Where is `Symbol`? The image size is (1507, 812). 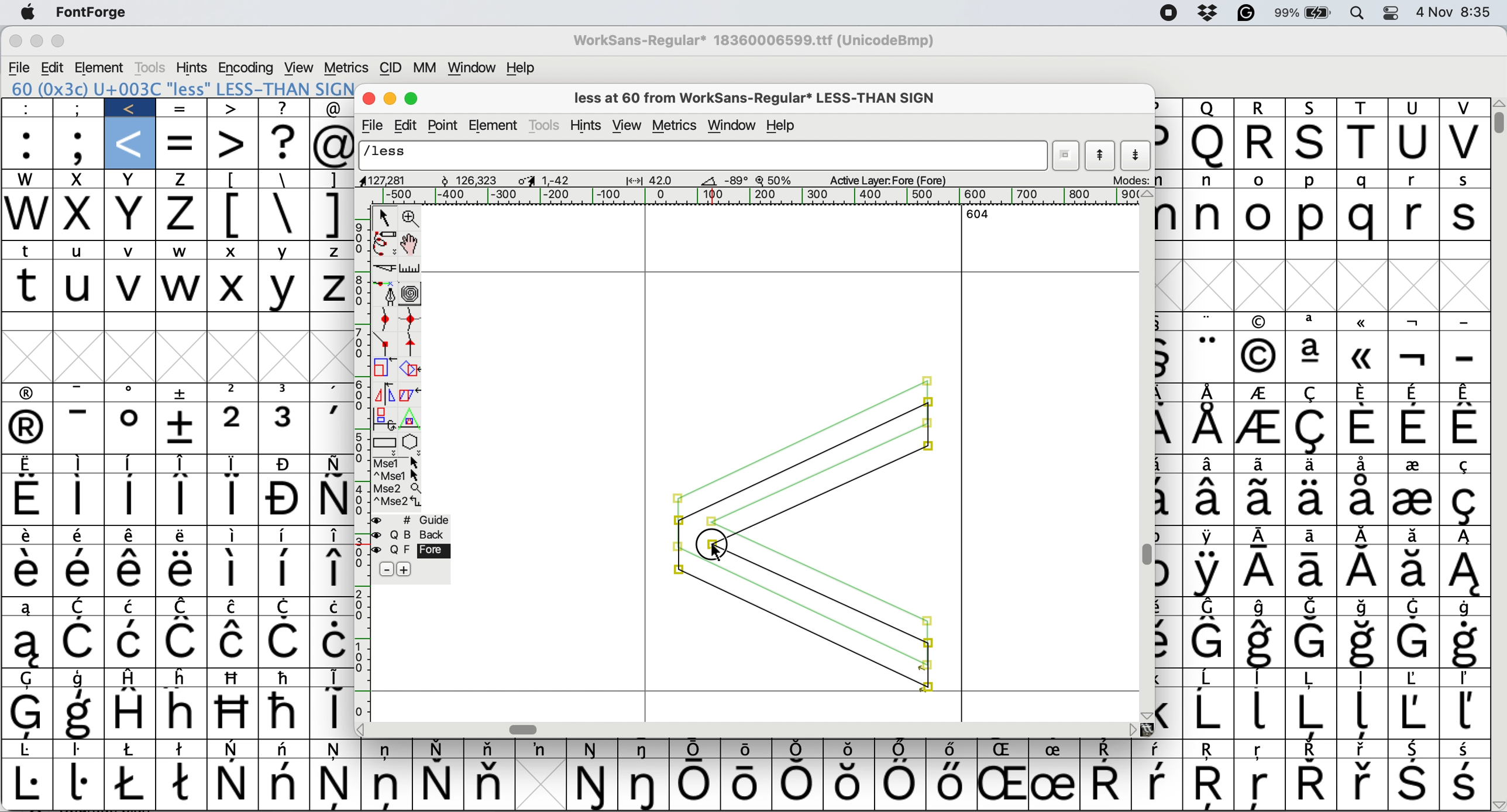 Symbol is located at coordinates (1310, 537).